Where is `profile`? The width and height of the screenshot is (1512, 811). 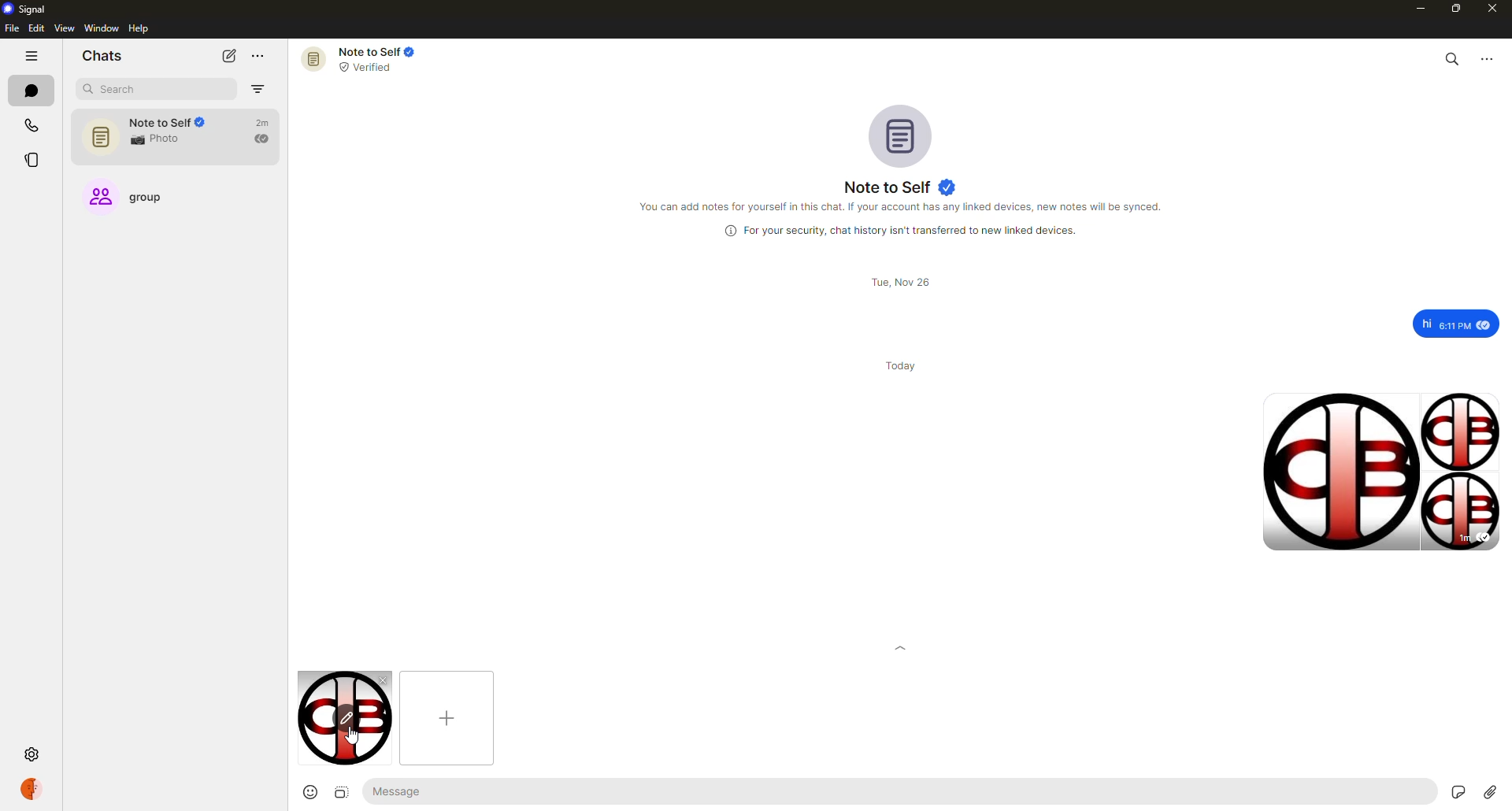
profile is located at coordinates (34, 789).